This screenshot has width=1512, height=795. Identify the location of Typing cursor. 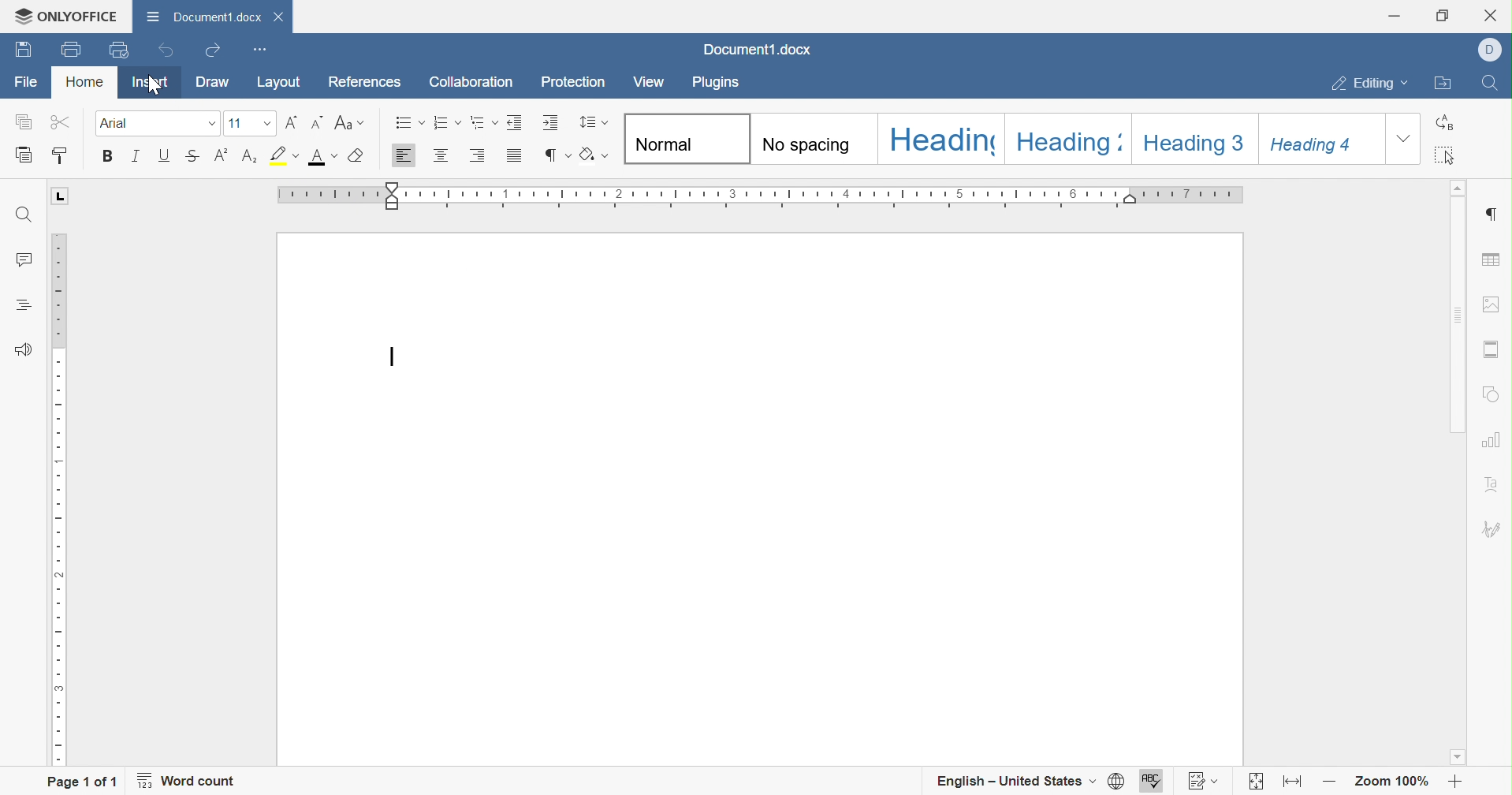
(395, 356).